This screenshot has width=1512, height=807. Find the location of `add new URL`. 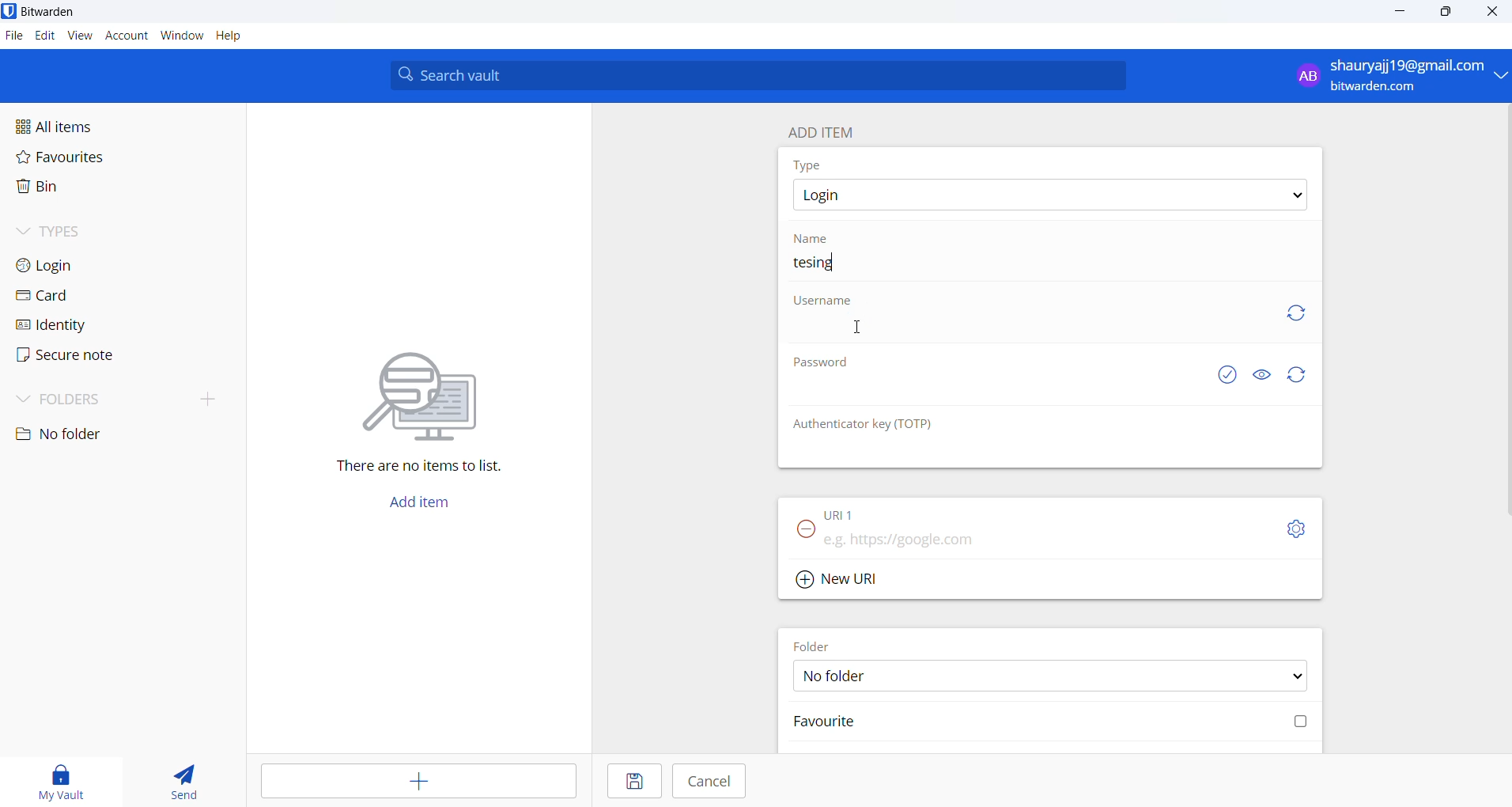

add new URL is located at coordinates (845, 578).